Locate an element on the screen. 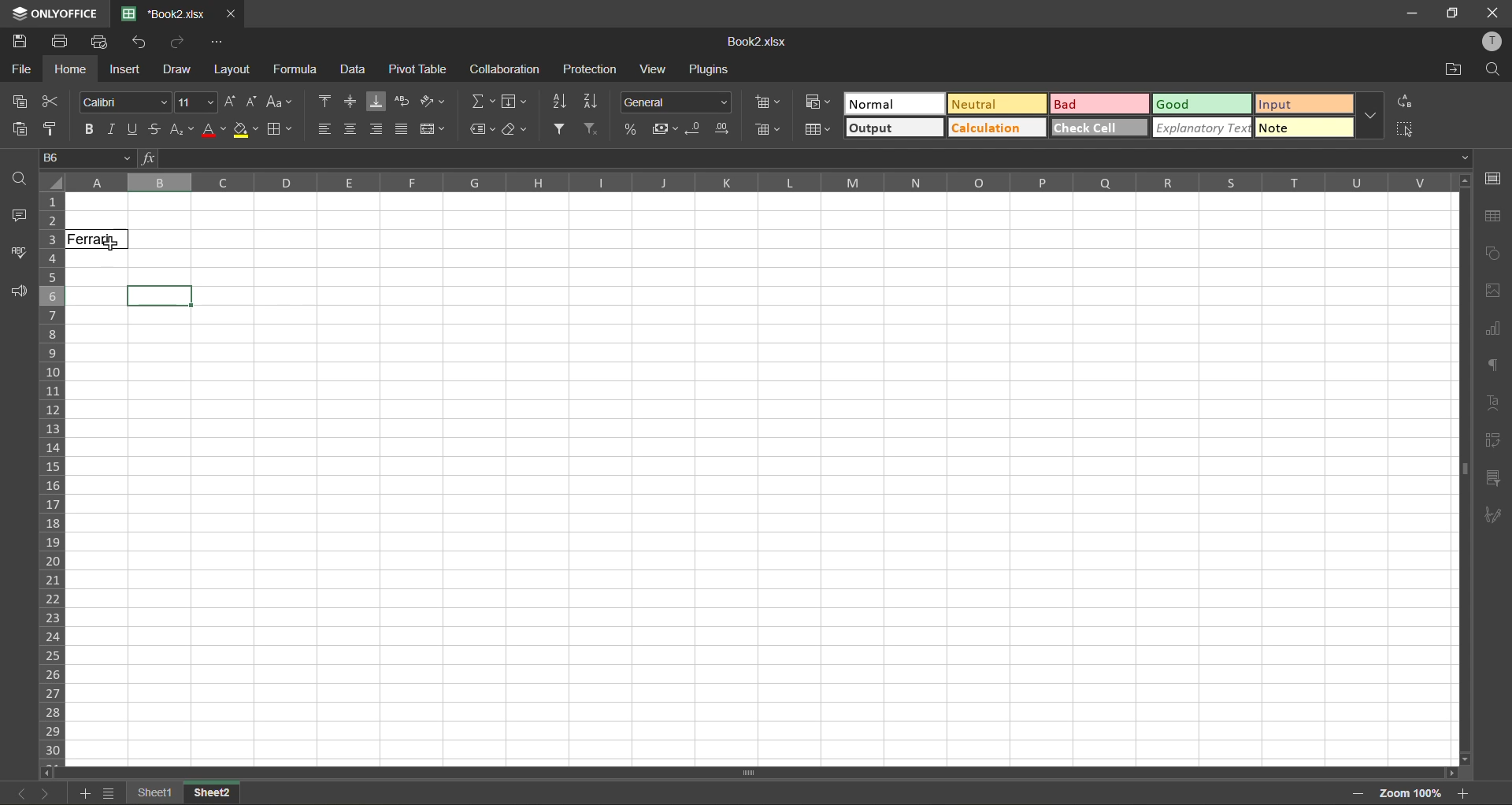 This screenshot has height=805, width=1512. insert is located at coordinates (125, 69).